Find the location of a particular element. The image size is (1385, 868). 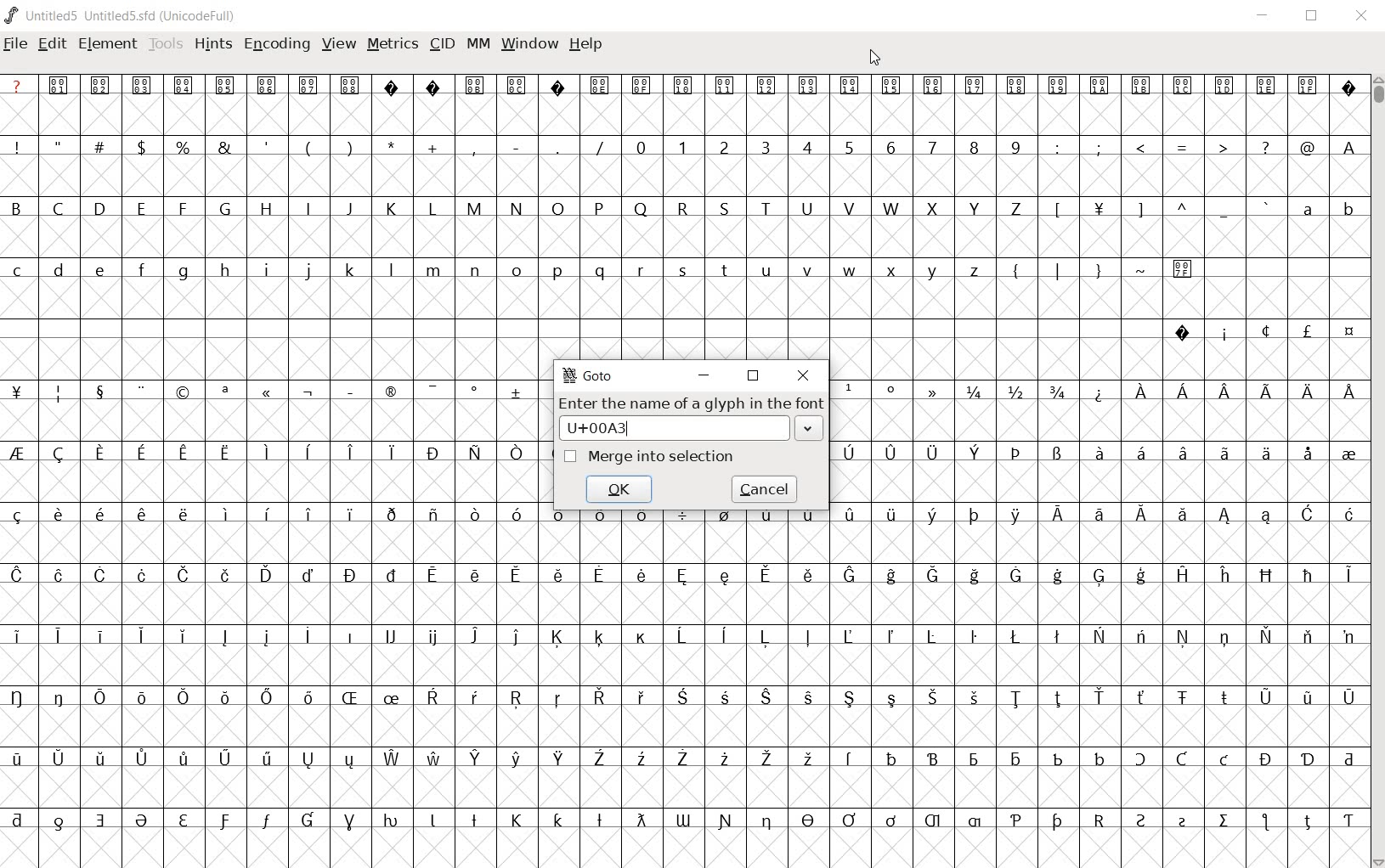

; is located at coordinates (1099, 149).